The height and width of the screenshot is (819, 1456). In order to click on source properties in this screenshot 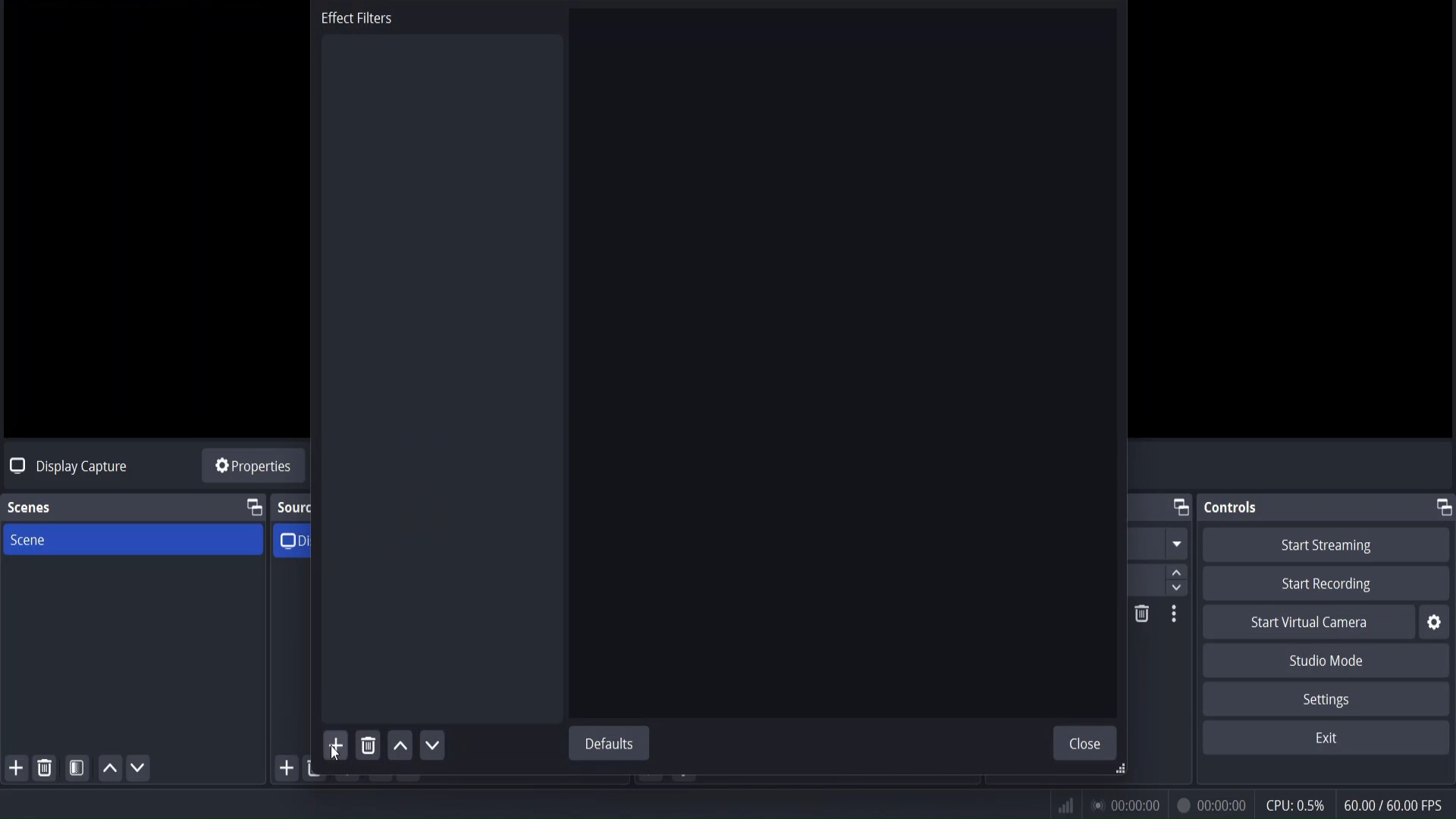, I will do `click(253, 468)`.